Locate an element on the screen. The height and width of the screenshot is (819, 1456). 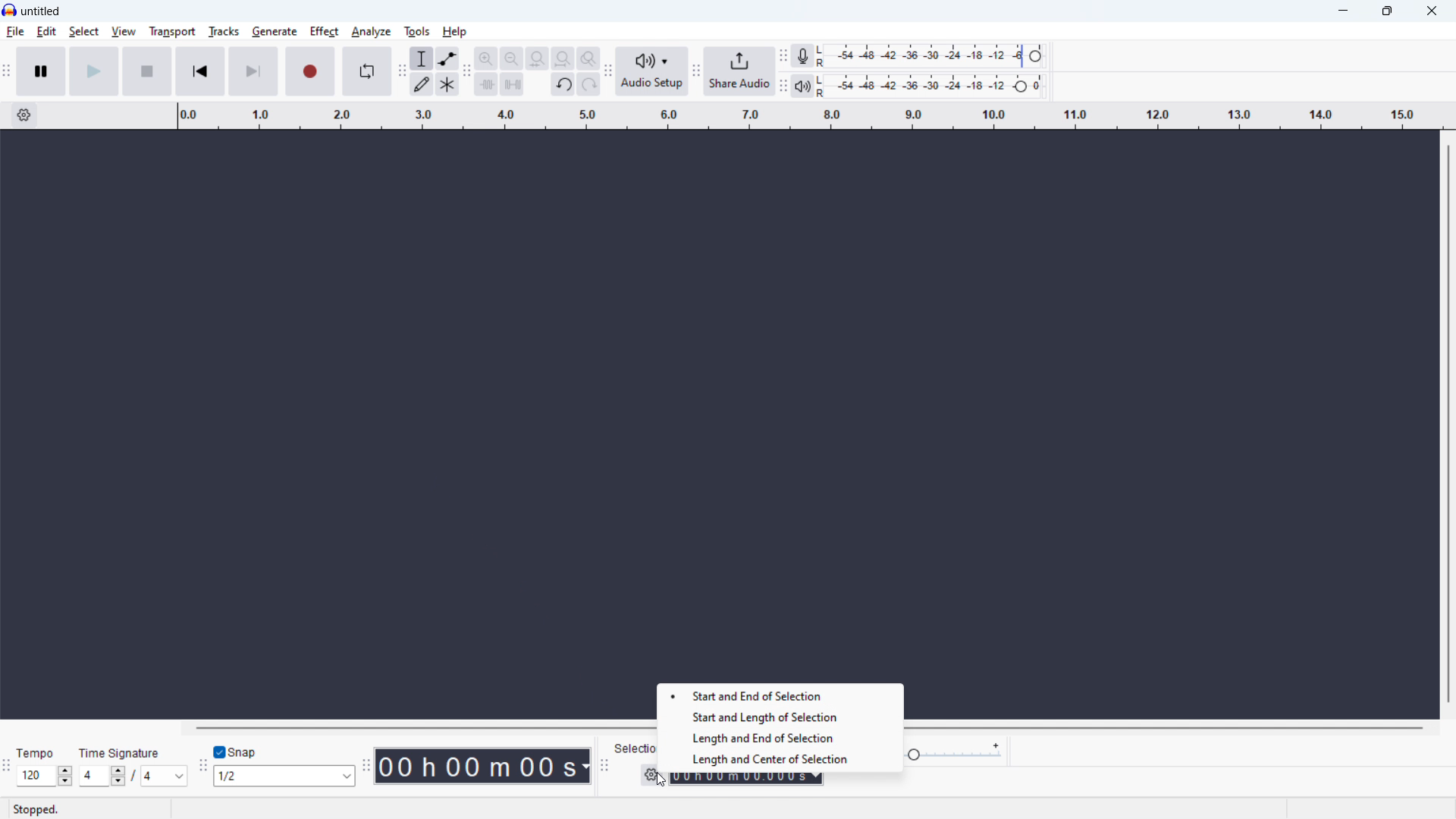
undo is located at coordinates (563, 85).